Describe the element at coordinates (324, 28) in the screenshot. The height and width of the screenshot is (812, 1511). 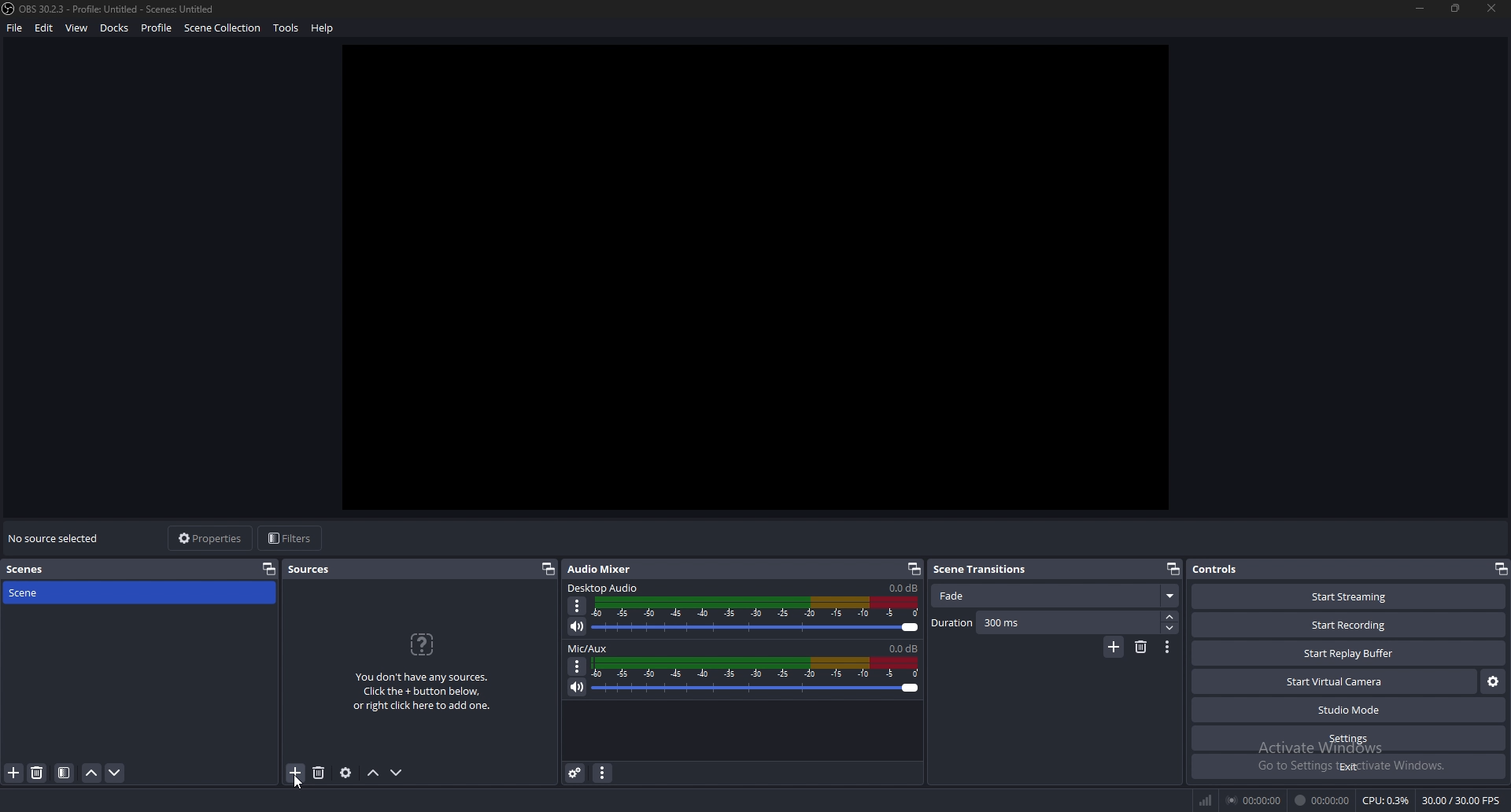
I see `help` at that location.